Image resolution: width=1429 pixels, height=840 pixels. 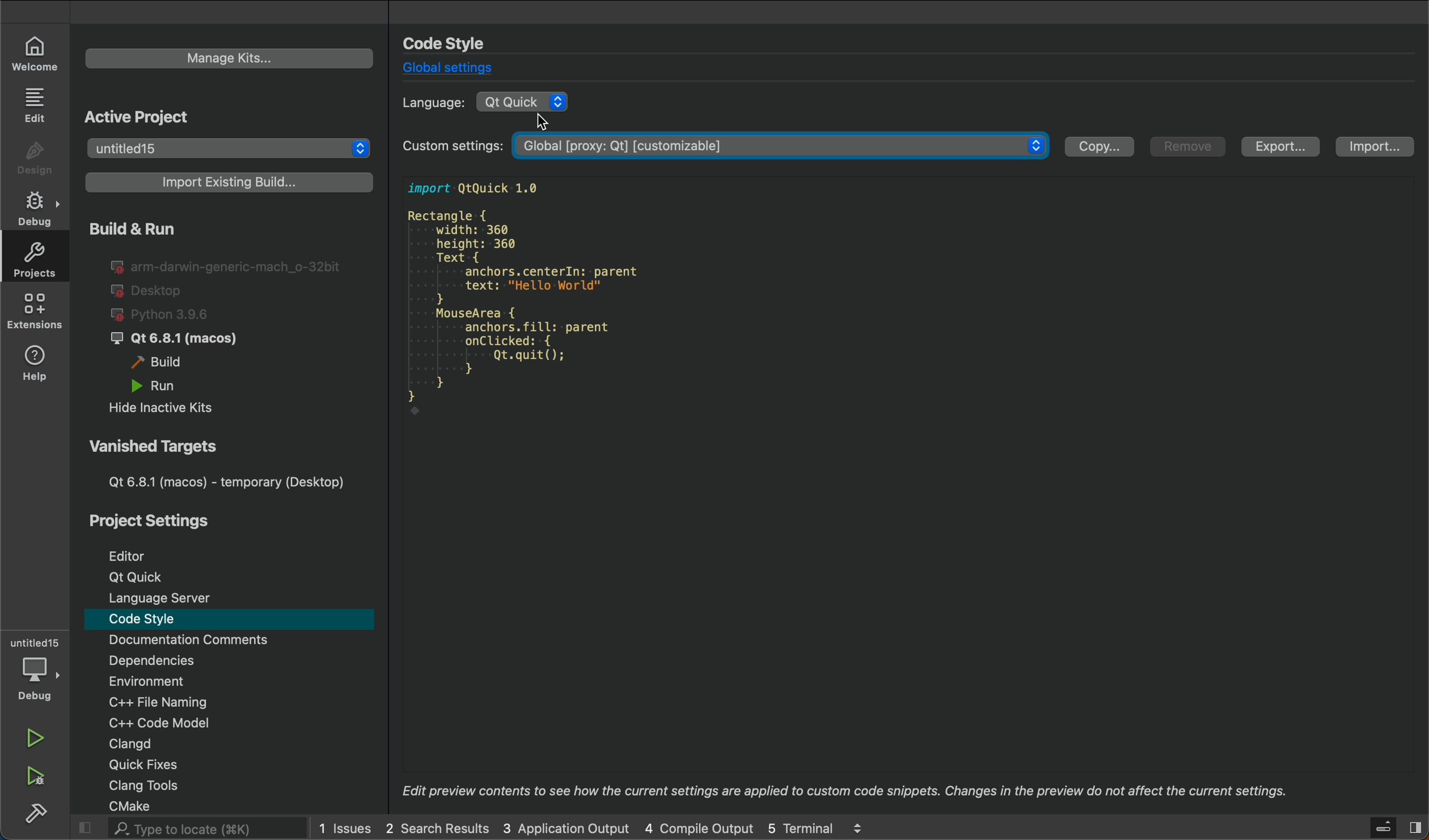 I want to click on search, so click(x=184, y=828).